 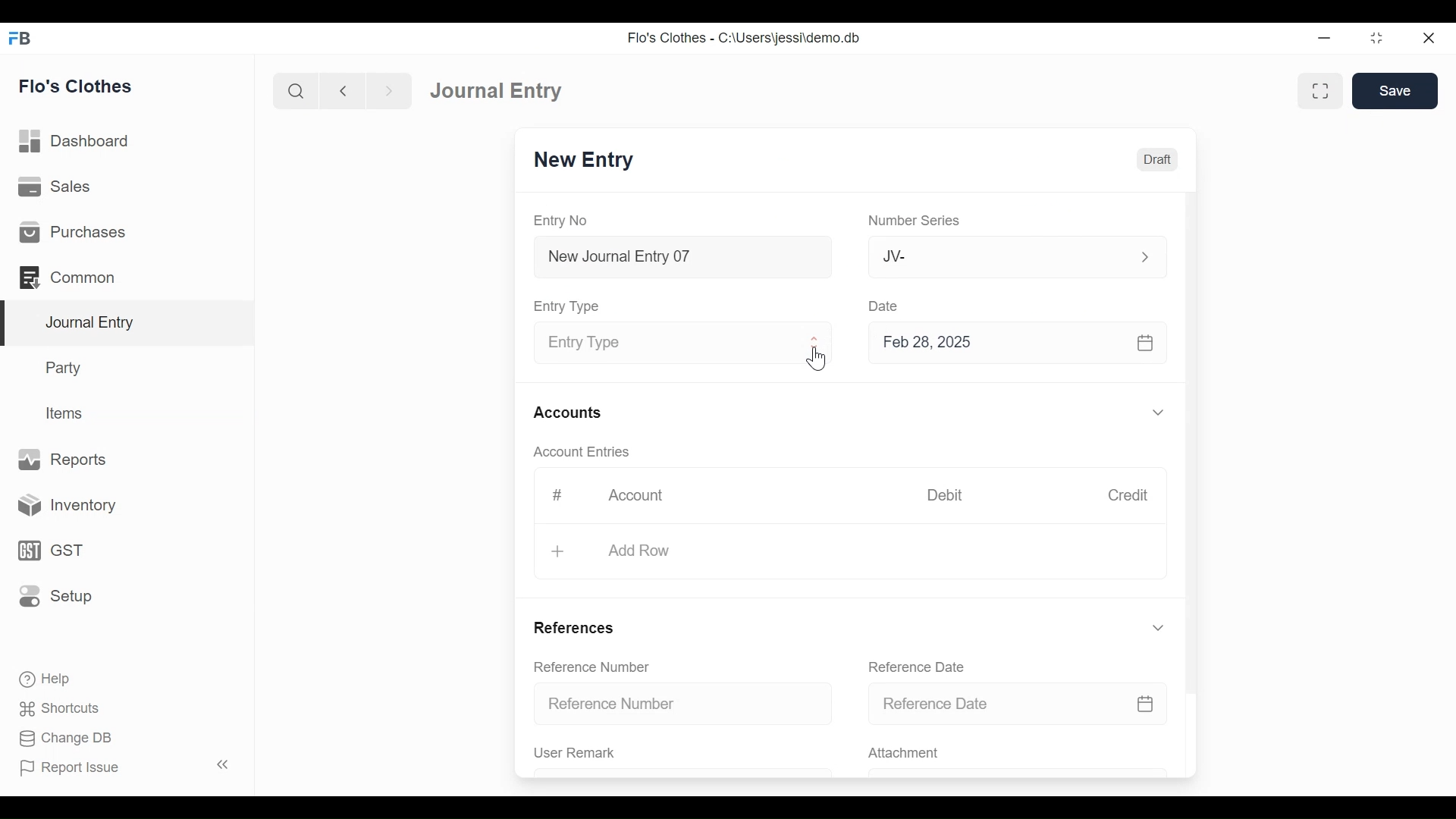 What do you see at coordinates (903, 754) in the screenshot?
I see `Attachment` at bounding box center [903, 754].